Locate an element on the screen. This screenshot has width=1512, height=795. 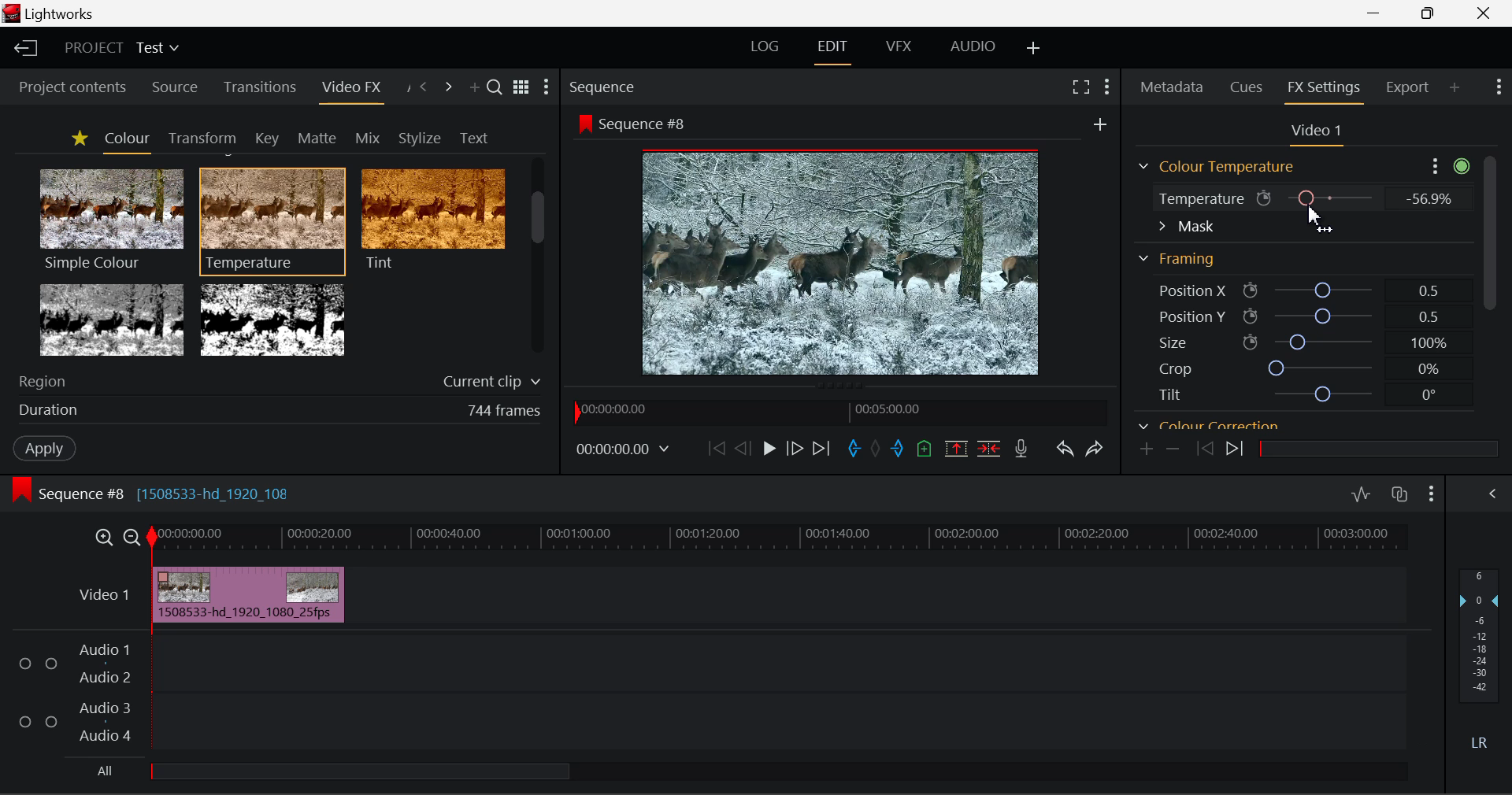
Checkbox is located at coordinates (25, 720).